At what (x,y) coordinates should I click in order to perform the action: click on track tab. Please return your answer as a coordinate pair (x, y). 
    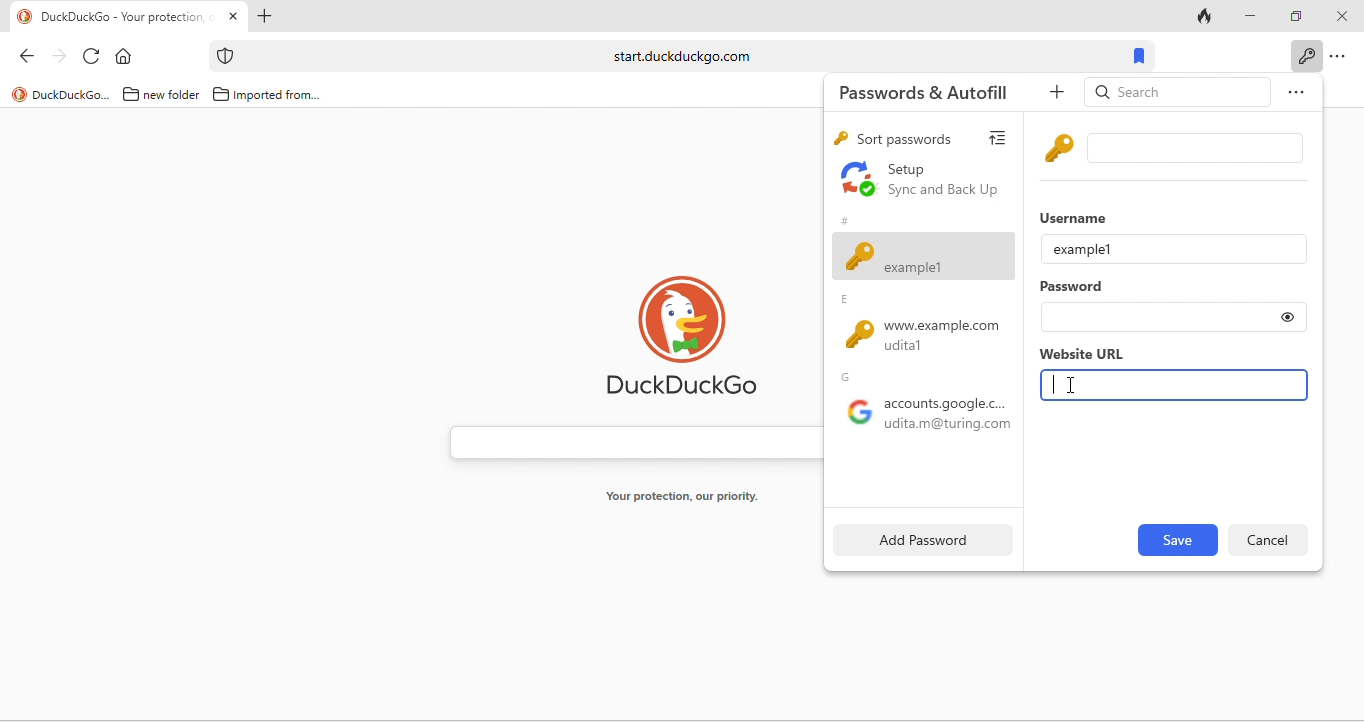
    Looking at the image, I should click on (1206, 15).